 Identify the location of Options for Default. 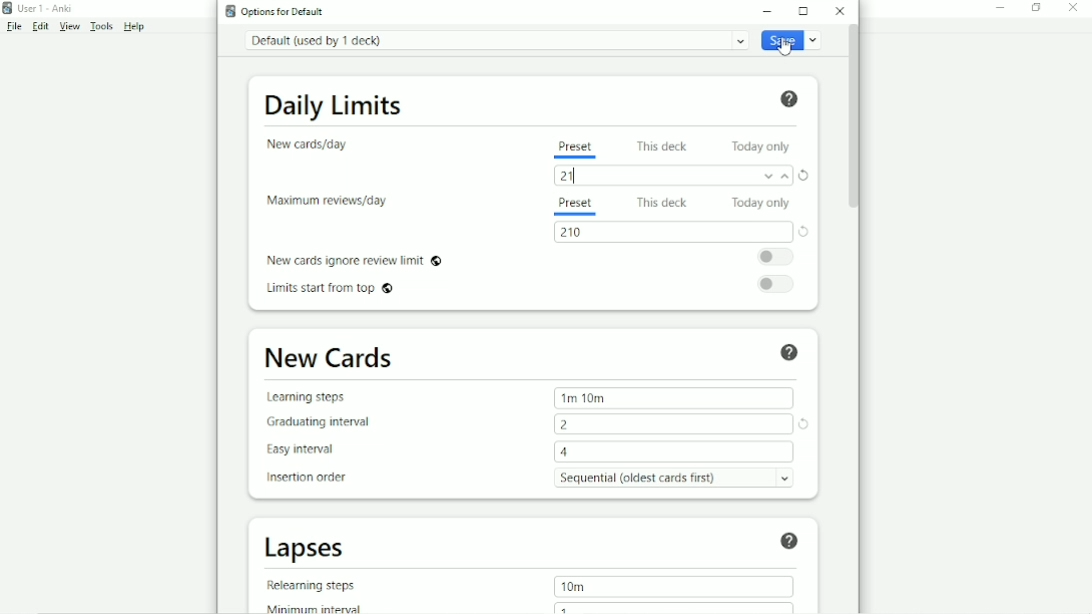
(276, 11).